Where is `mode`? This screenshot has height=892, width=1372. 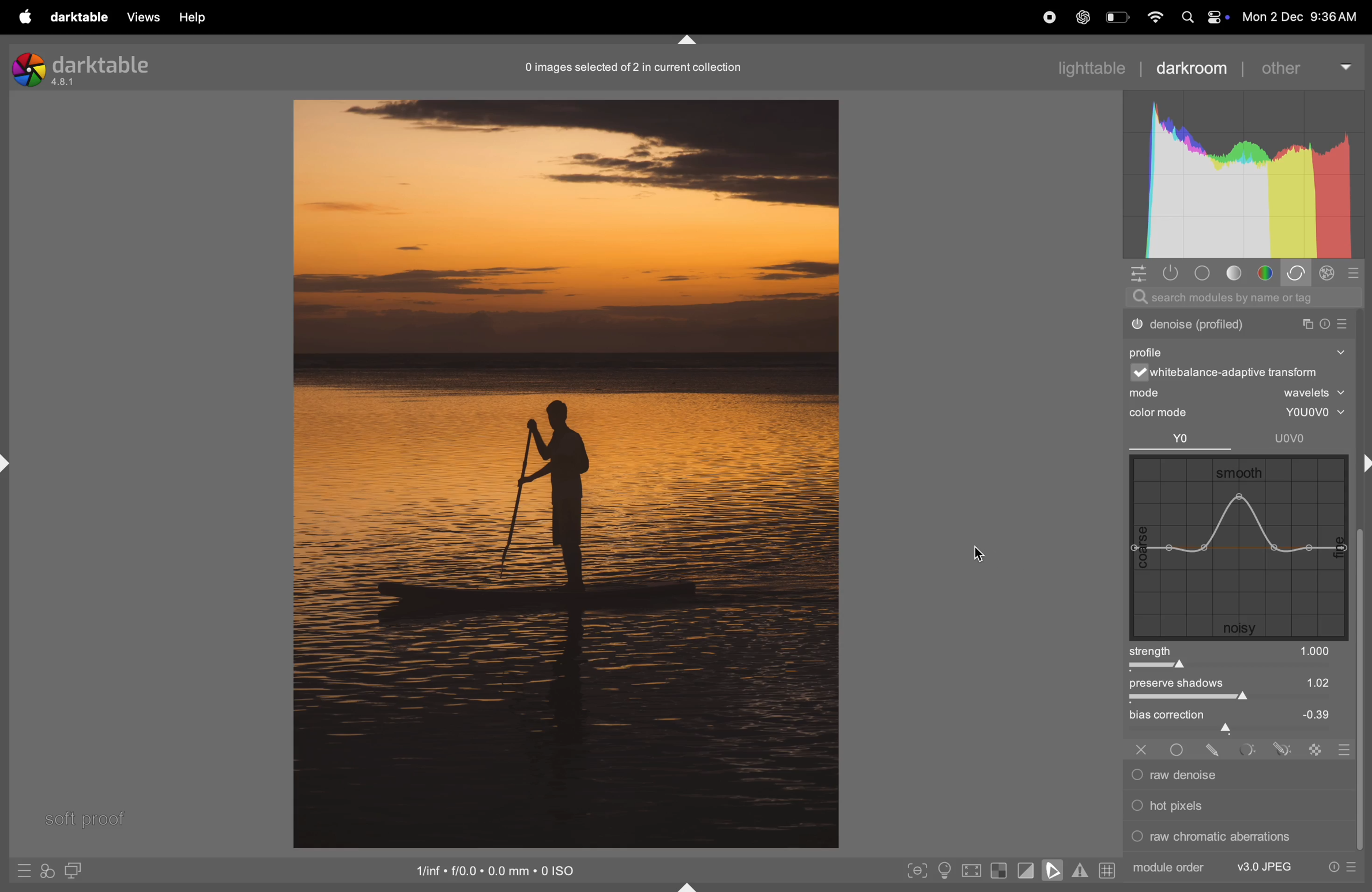
mode is located at coordinates (1239, 394).